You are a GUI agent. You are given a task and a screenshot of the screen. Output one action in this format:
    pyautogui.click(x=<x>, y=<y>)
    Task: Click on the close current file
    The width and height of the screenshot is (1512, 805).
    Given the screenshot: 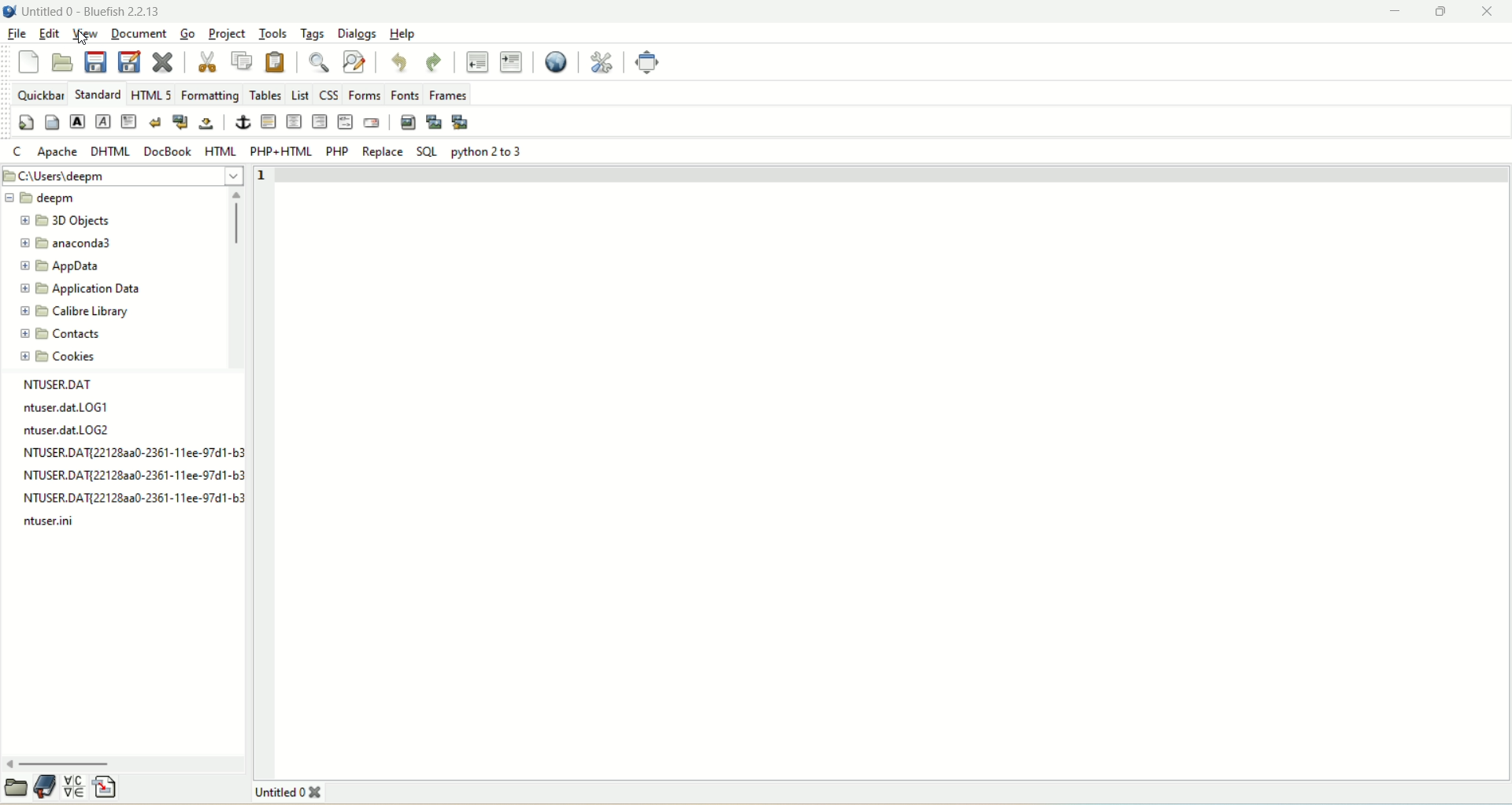 What is the action you would take?
    pyautogui.click(x=163, y=62)
    